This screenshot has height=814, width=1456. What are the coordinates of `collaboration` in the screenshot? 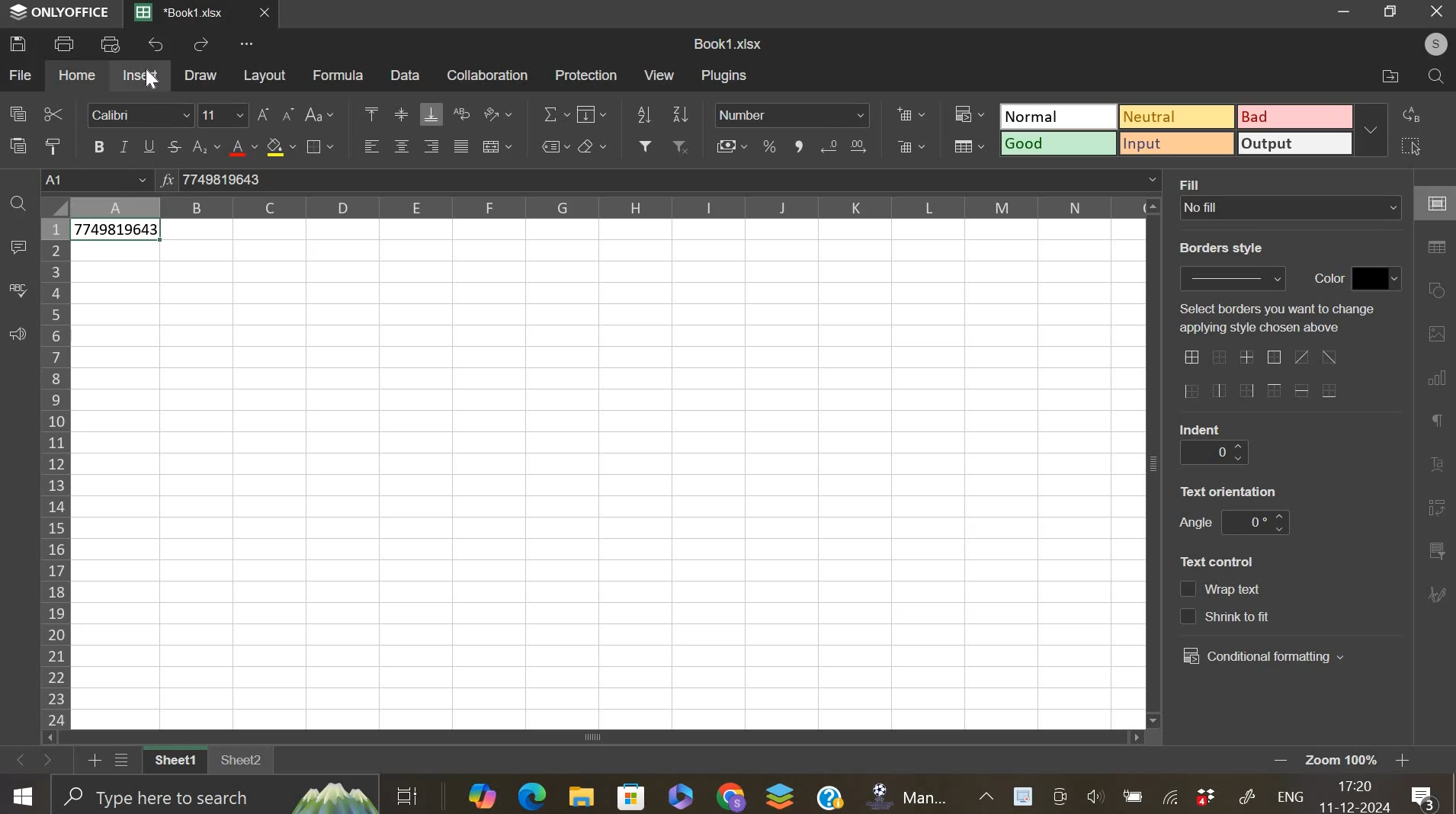 It's located at (489, 75).